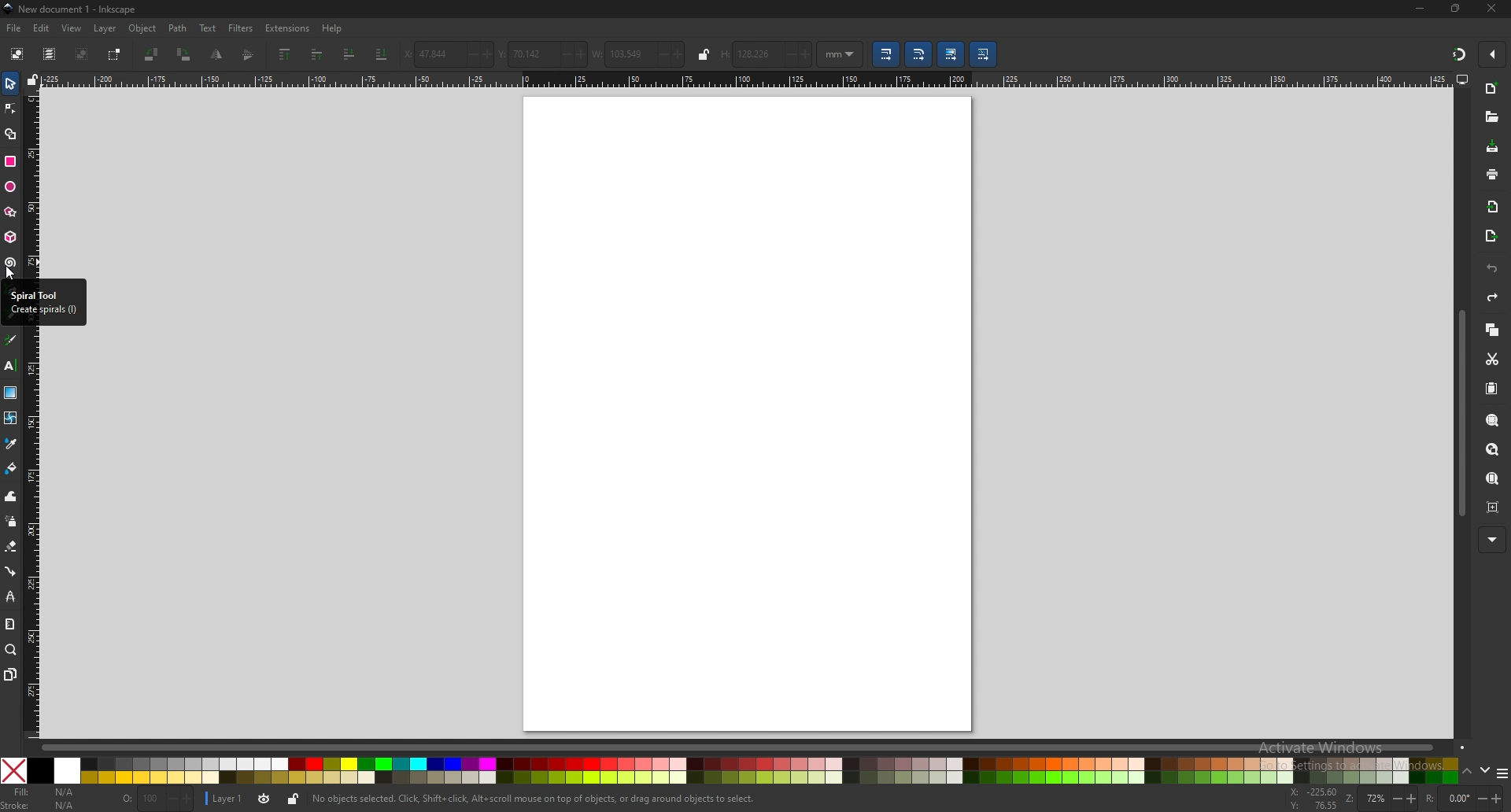 The image size is (1511, 812). Describe the element at coordinates (289, 28) in the screenshot. I see `extensions` at that location.